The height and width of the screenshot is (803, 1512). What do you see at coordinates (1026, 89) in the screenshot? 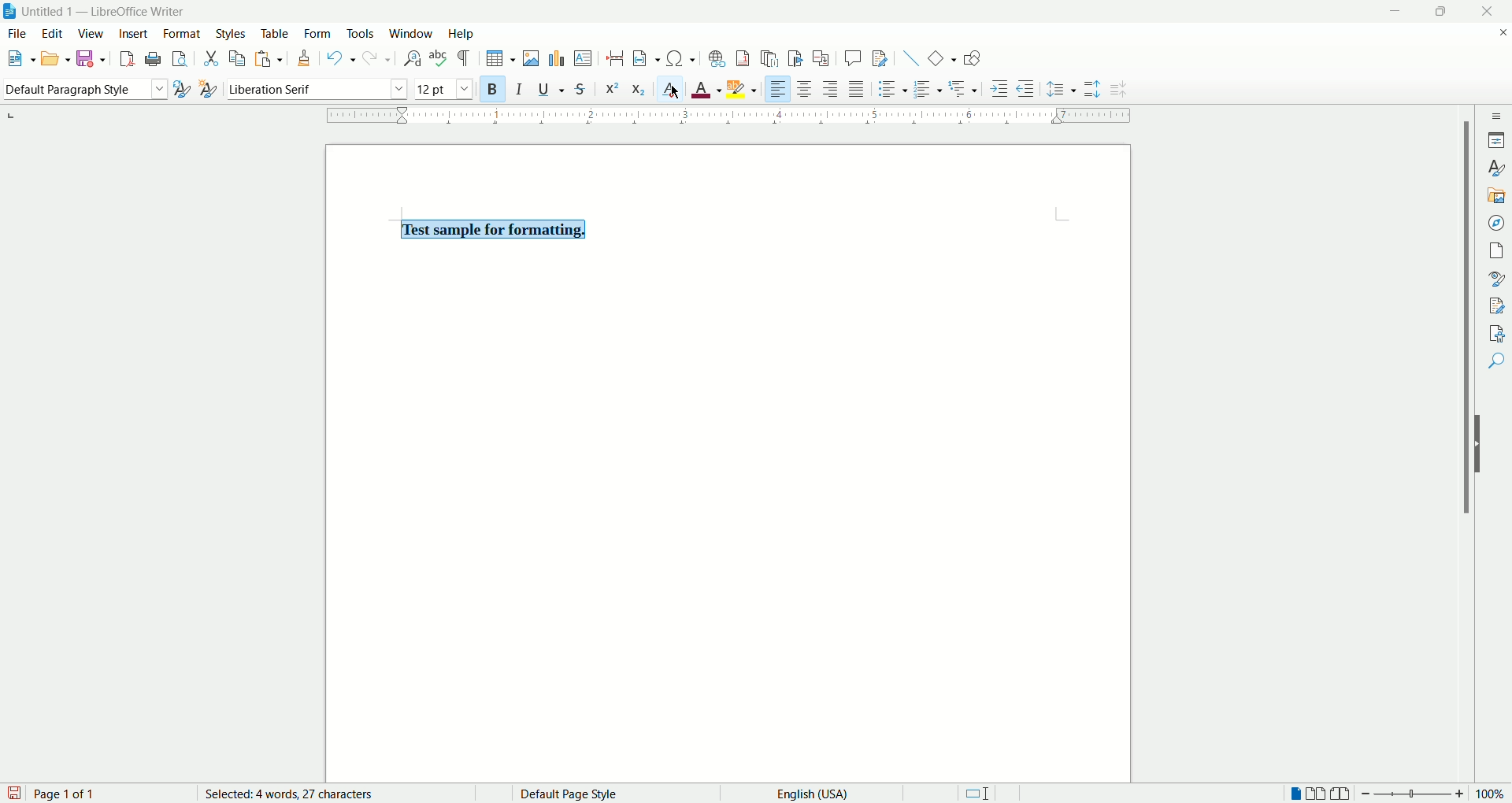
I see `decrease indent` at bounding box center [1026, 89].